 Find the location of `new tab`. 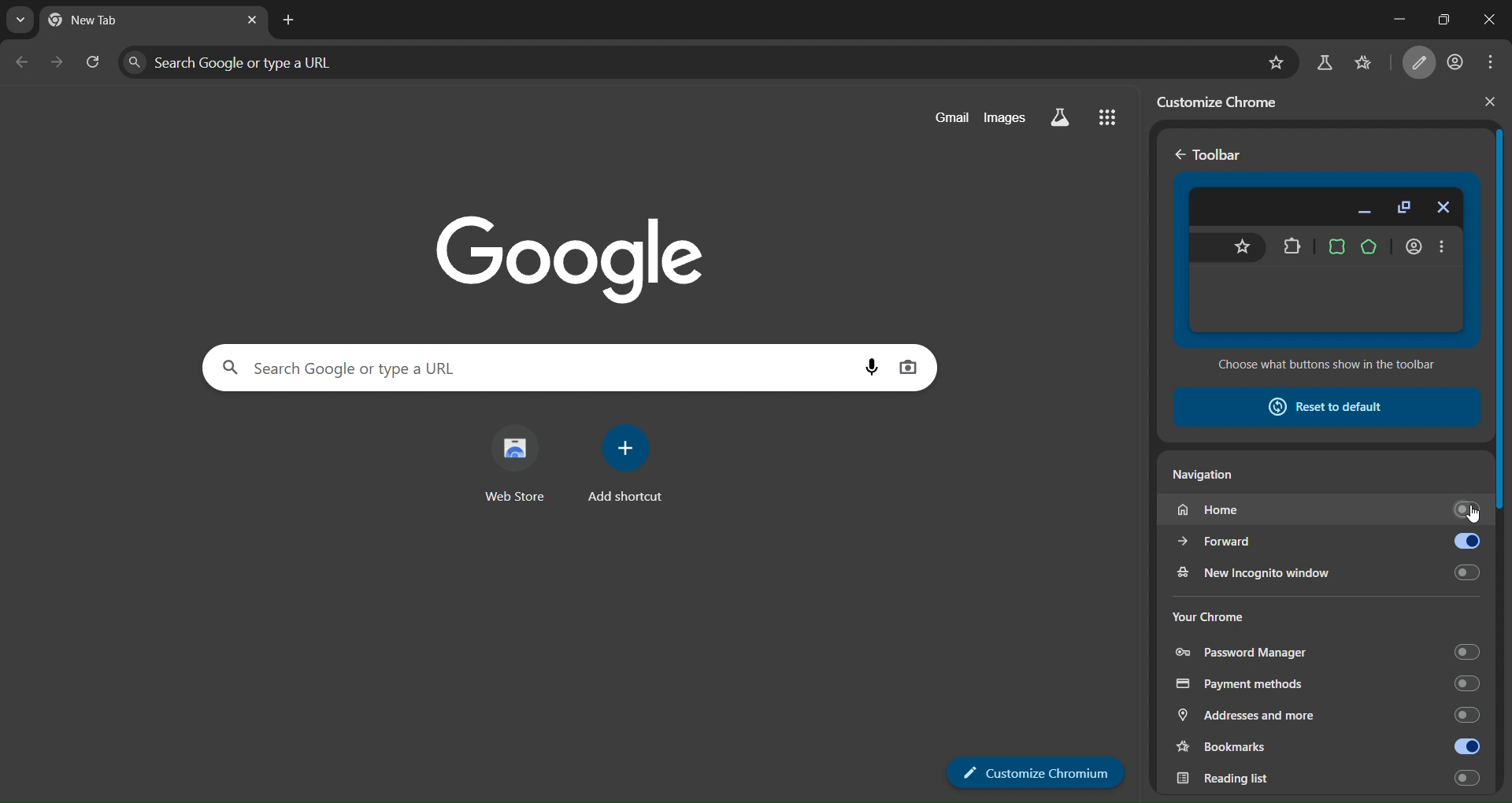

new tab is located at coordinates (289, 20).